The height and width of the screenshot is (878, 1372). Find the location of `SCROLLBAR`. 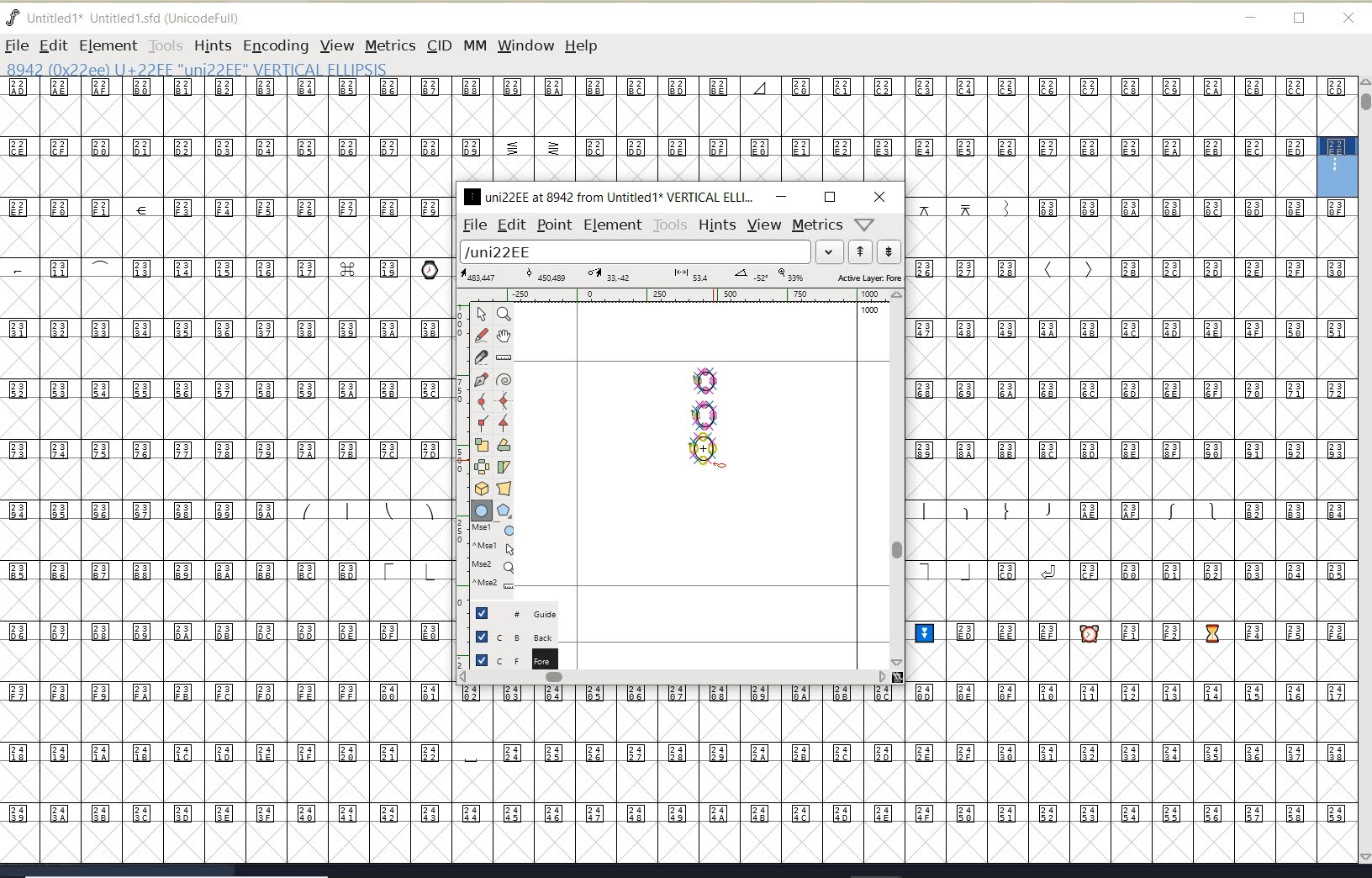

SCROLLBAR is located at coordinates (1364, 472).